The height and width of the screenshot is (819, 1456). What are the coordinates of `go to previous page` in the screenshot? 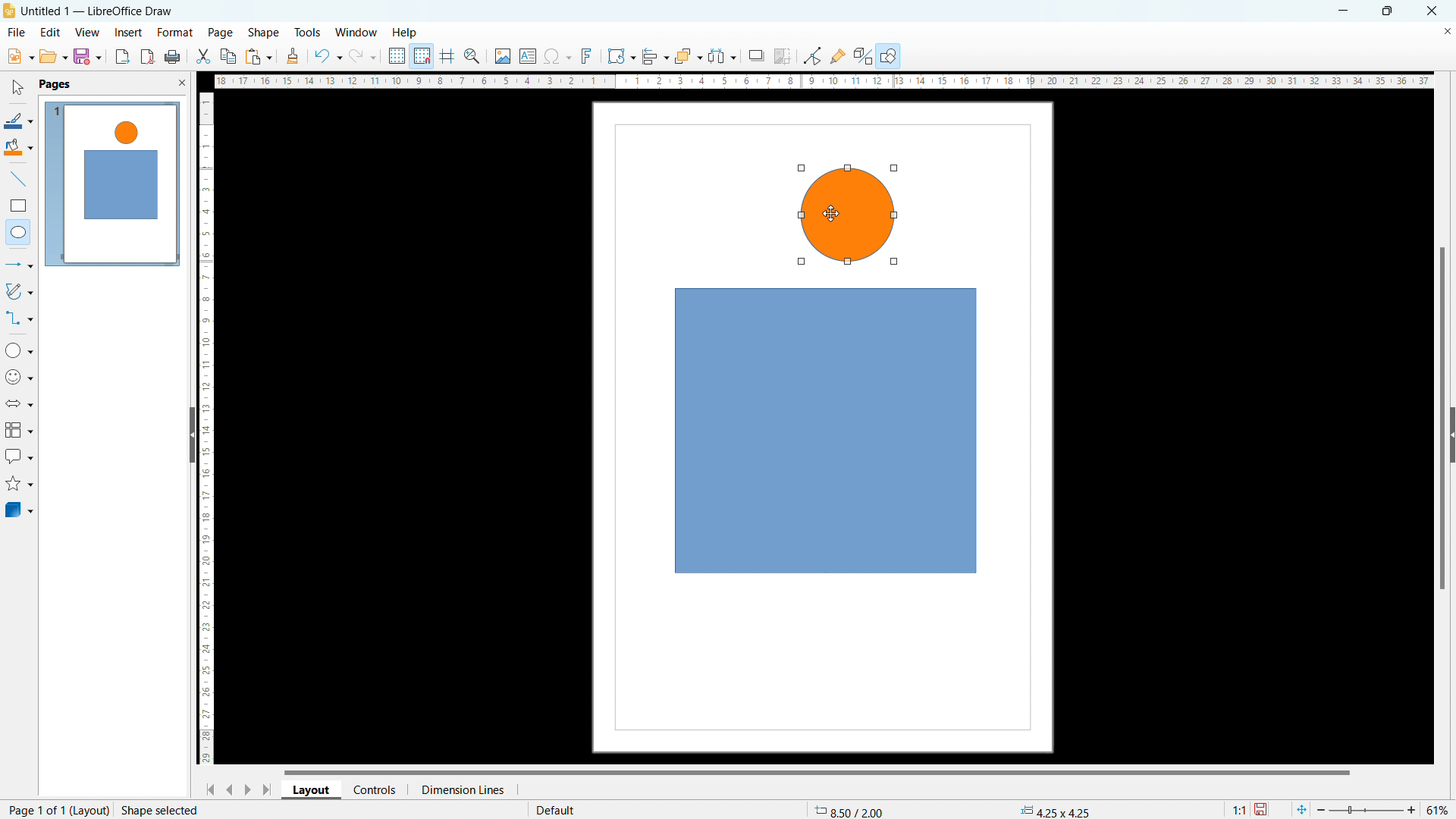 It's located at (230, 787).